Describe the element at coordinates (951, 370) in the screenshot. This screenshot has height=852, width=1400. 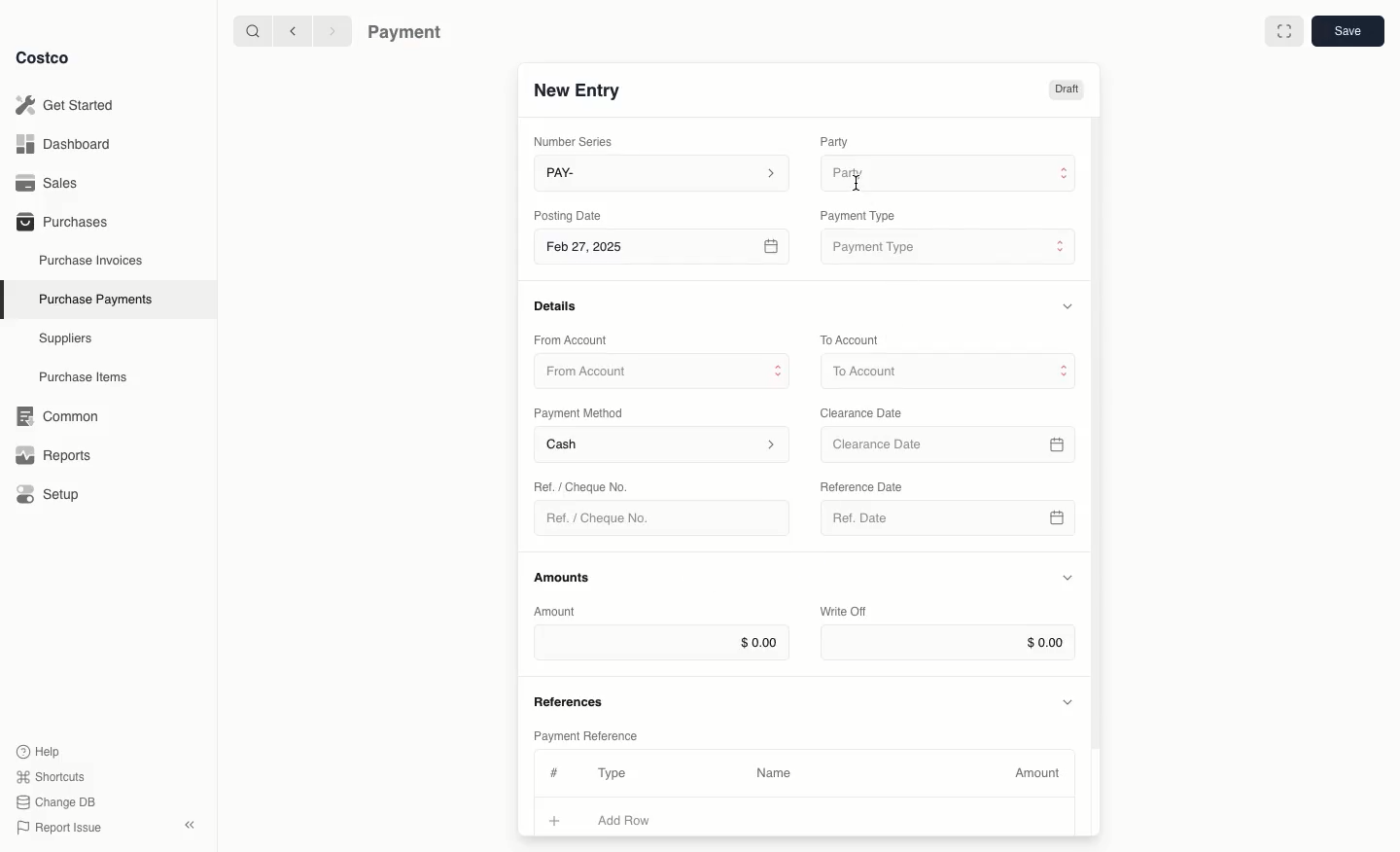
I see `To Account` at that location.